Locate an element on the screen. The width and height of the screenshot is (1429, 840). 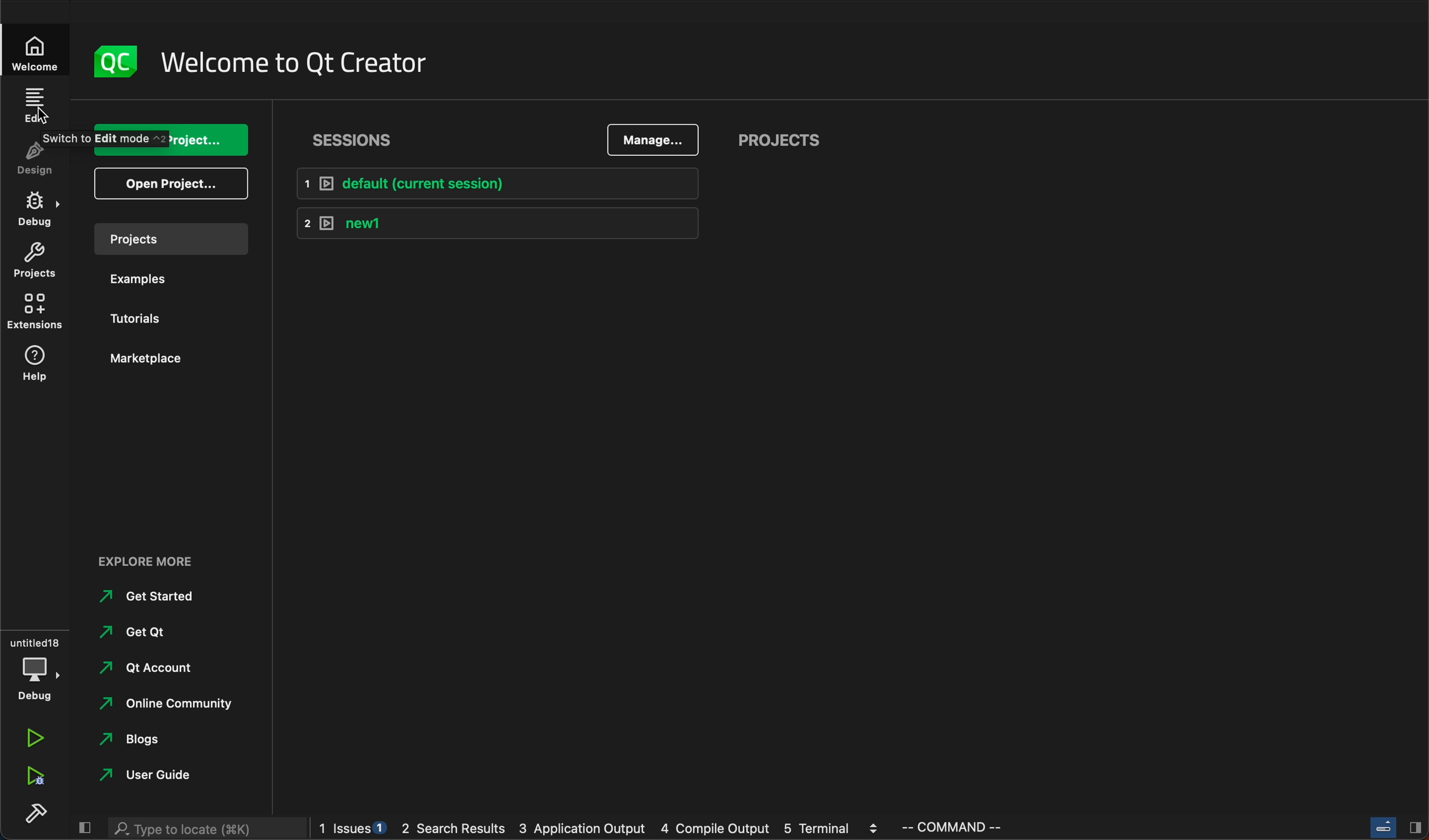
logo is located at coordinates (117, 62).